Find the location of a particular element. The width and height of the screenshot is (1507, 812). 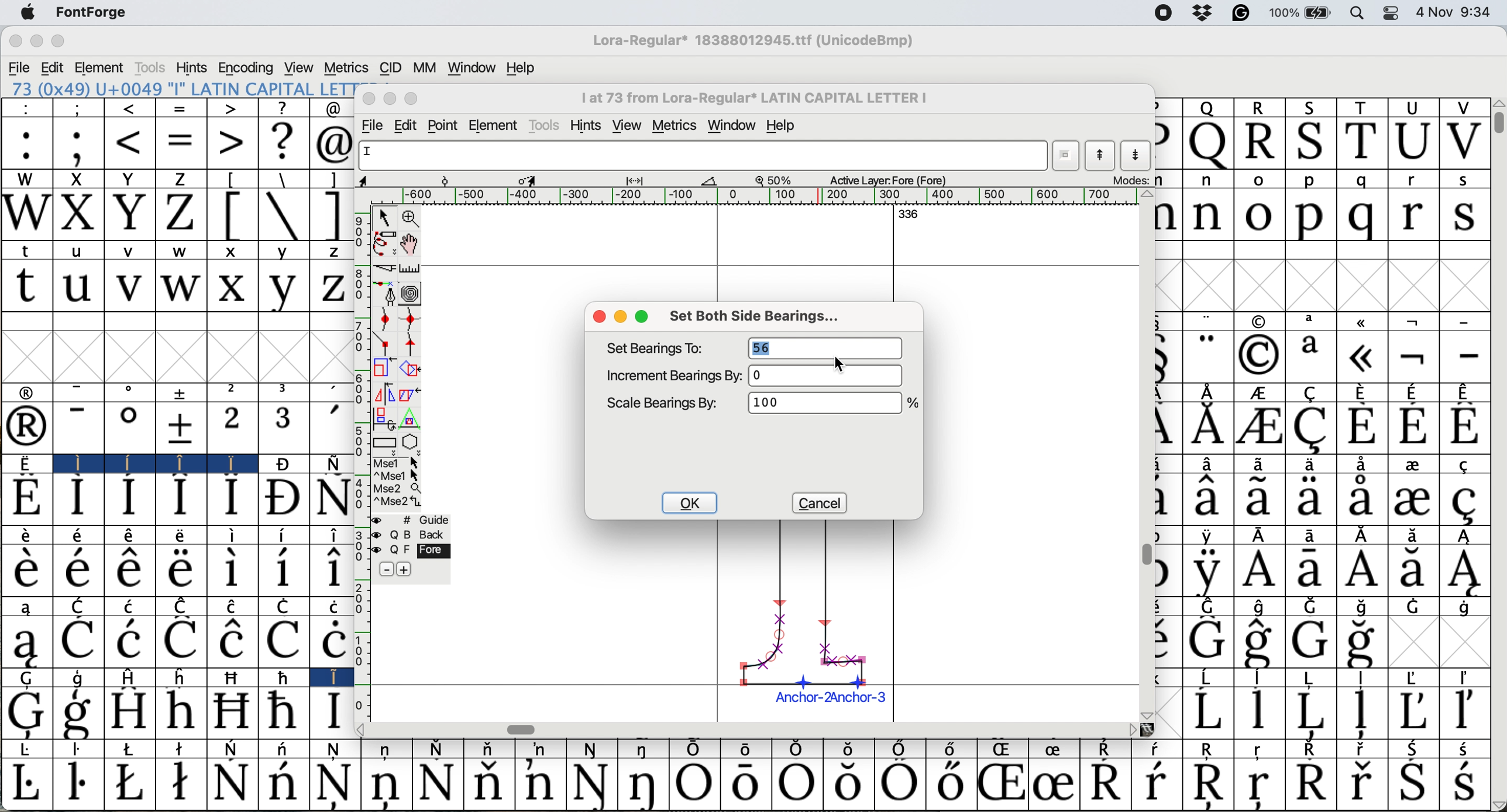

Symbol is located at coordinates (181, 785).